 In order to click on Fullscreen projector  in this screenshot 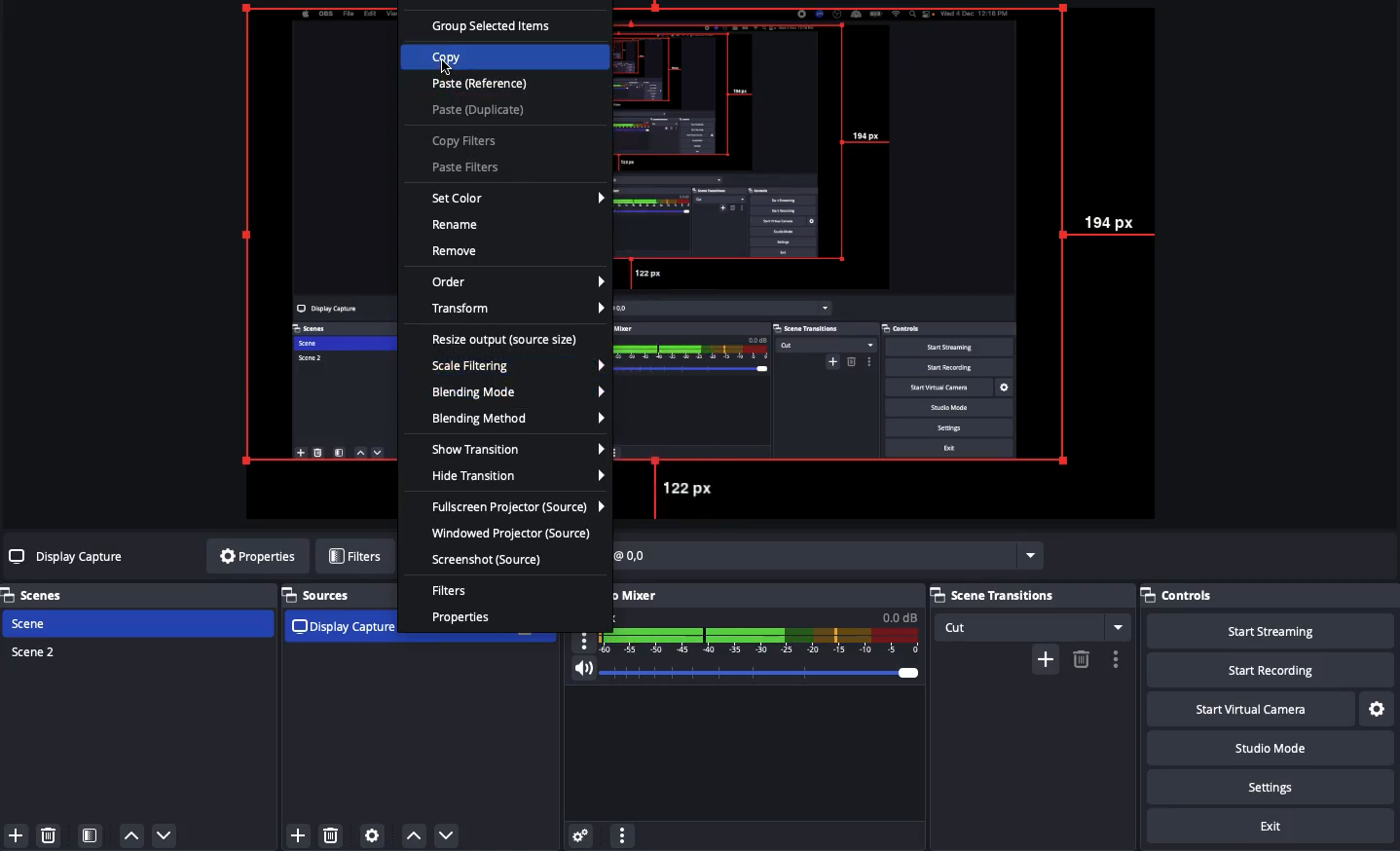, I will do `click(521, 507)`.